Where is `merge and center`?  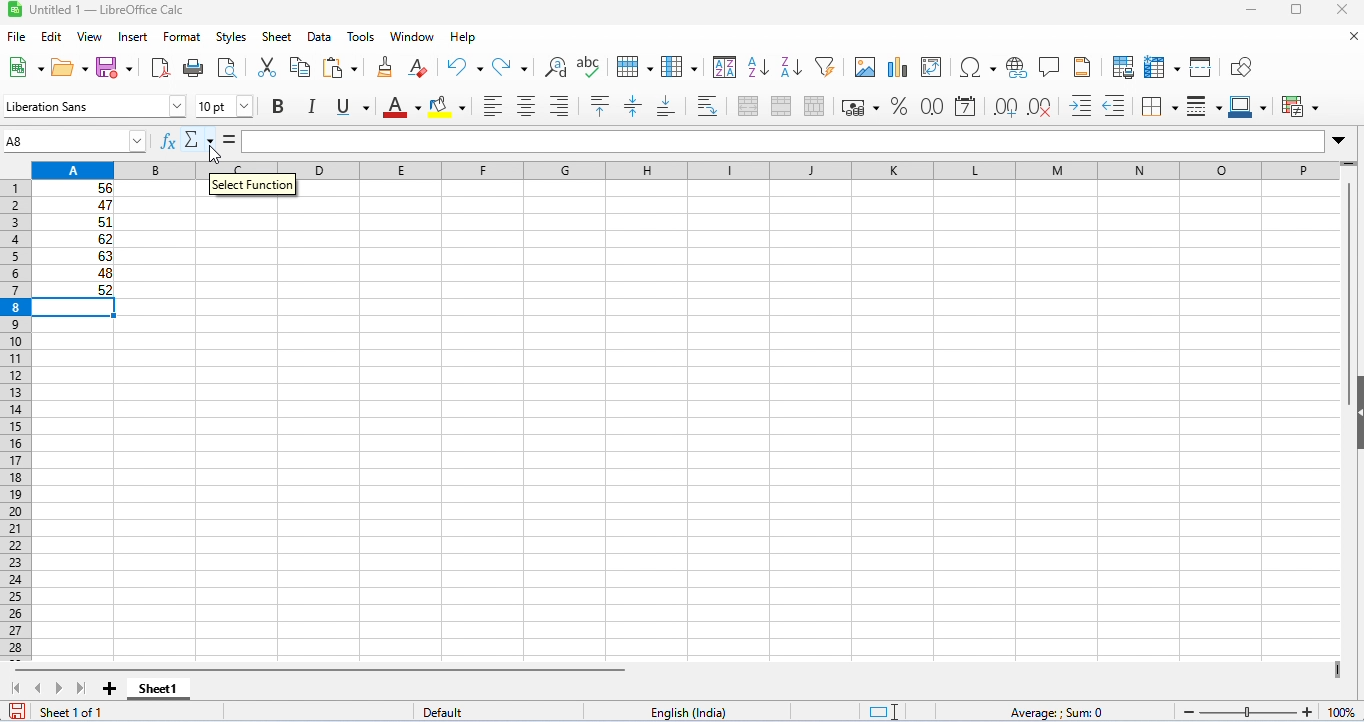
merge and center is located at coordinates (749, 106).